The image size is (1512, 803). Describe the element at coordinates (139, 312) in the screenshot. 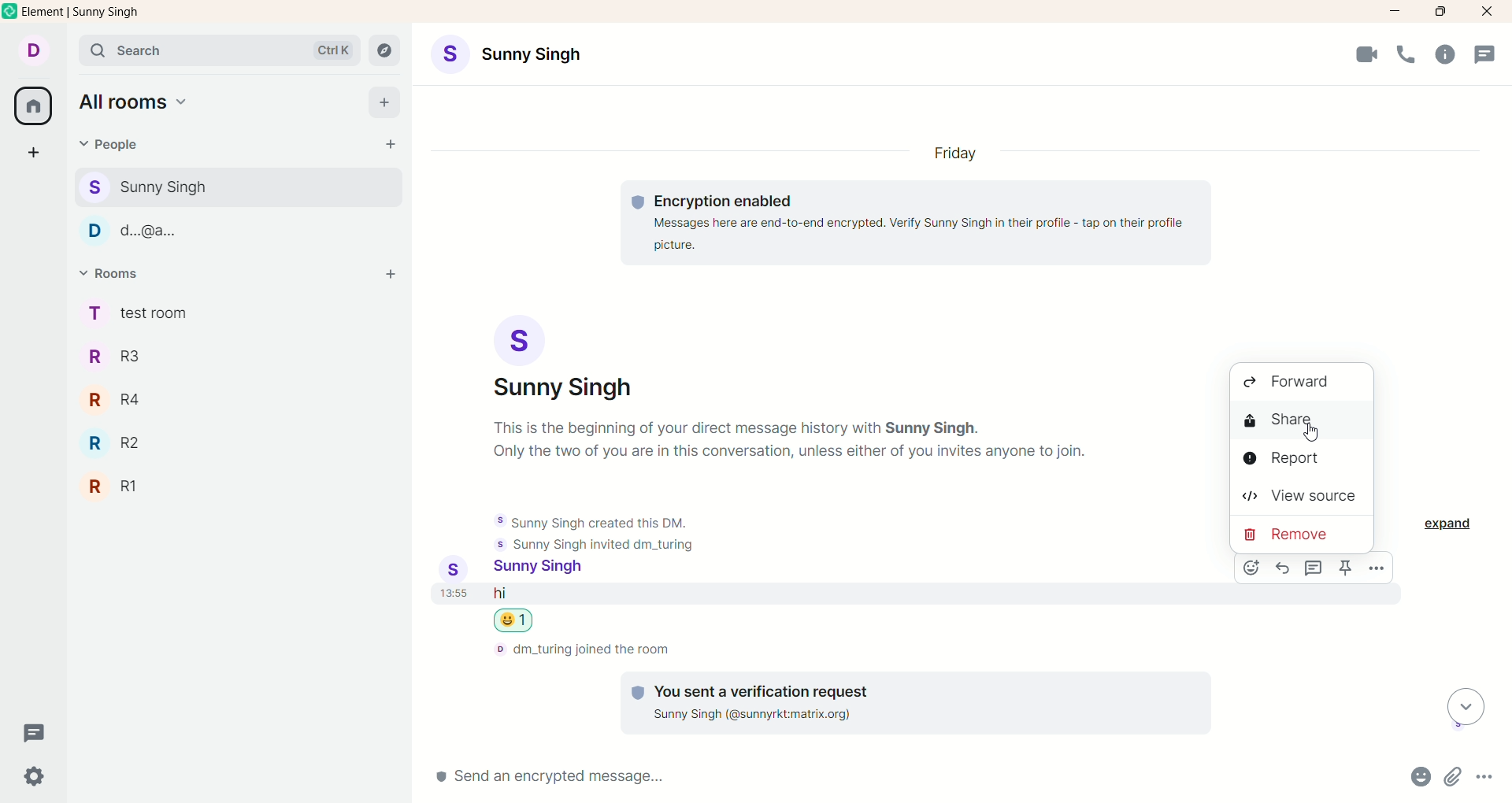

I see `rooms` at that location.